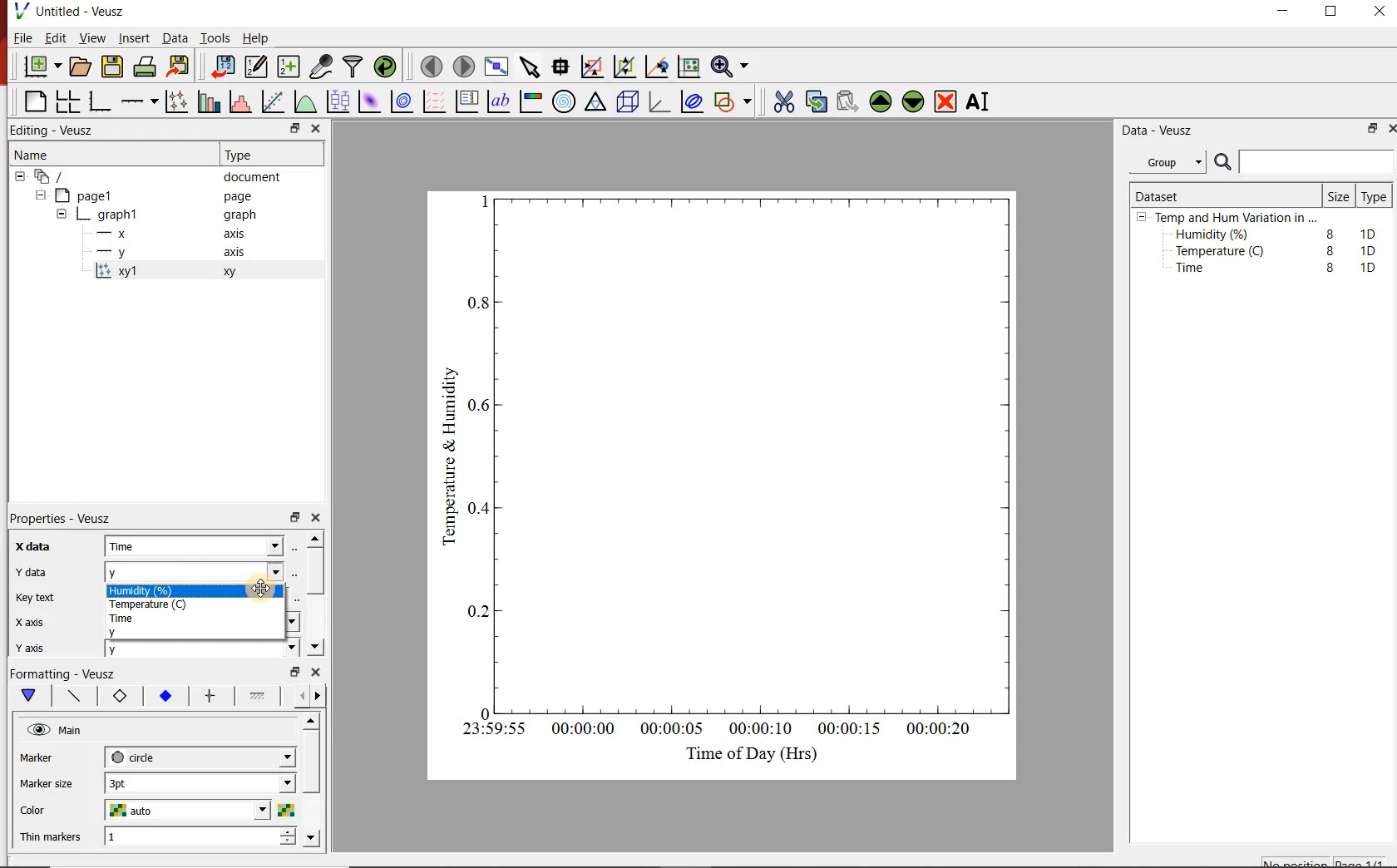 This screenshot has height=868, width=1397. I want to click on Color dropdown, so click(237, 811).